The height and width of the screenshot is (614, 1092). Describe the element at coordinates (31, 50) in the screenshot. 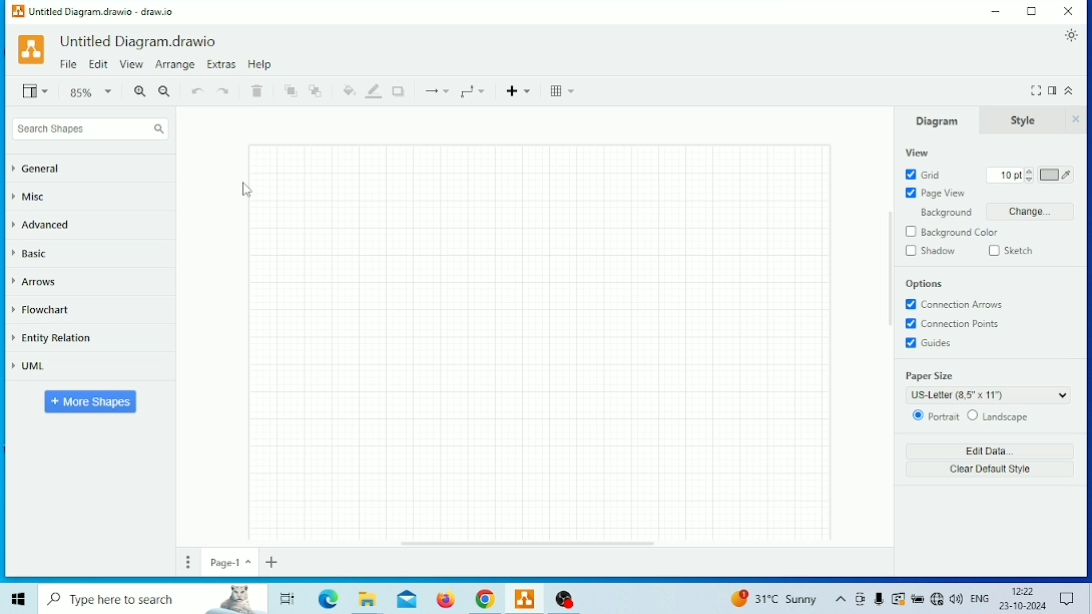

I see `Logo` at that location.